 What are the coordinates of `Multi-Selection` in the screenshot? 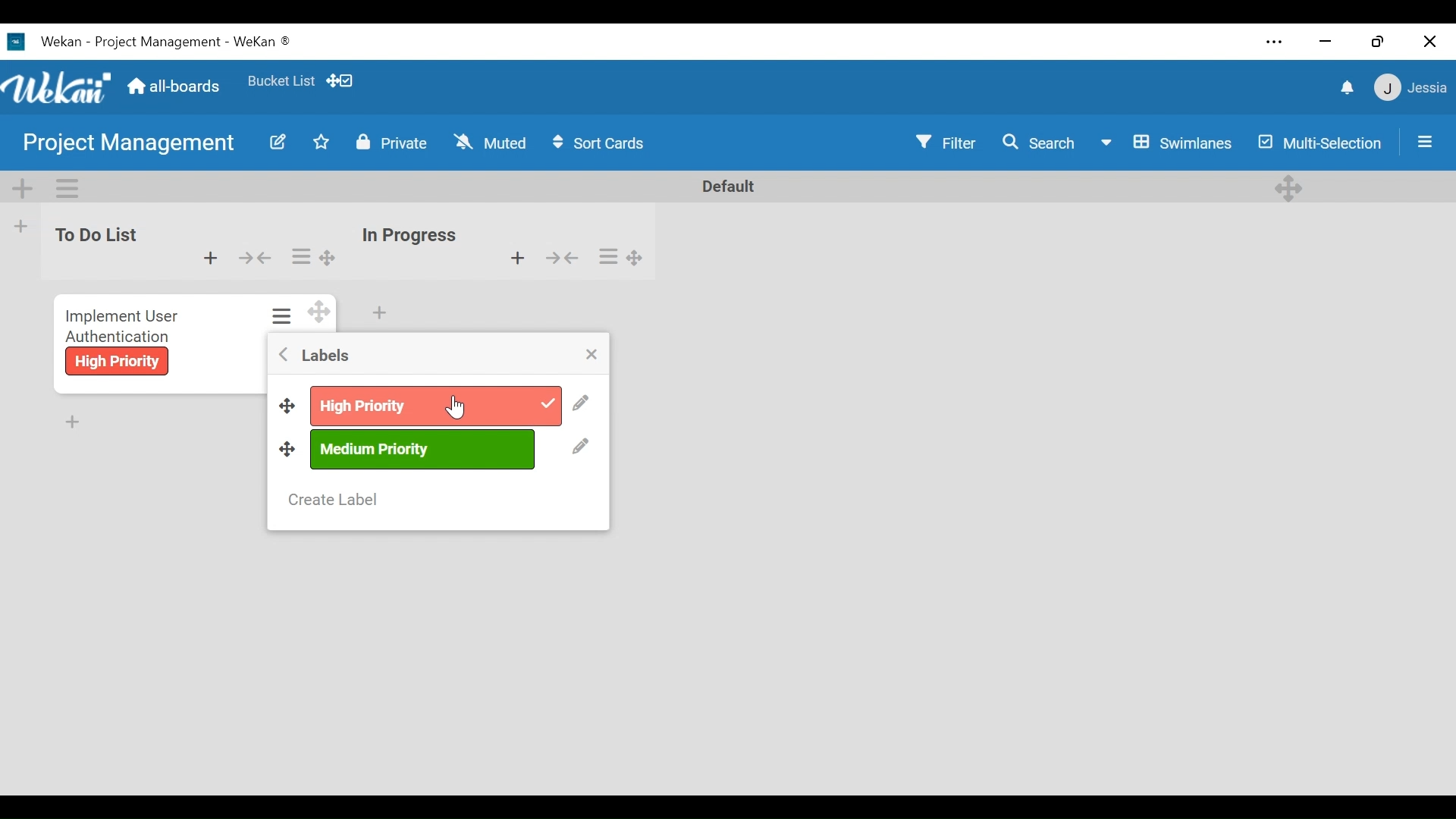 It's located at (1320, 141).